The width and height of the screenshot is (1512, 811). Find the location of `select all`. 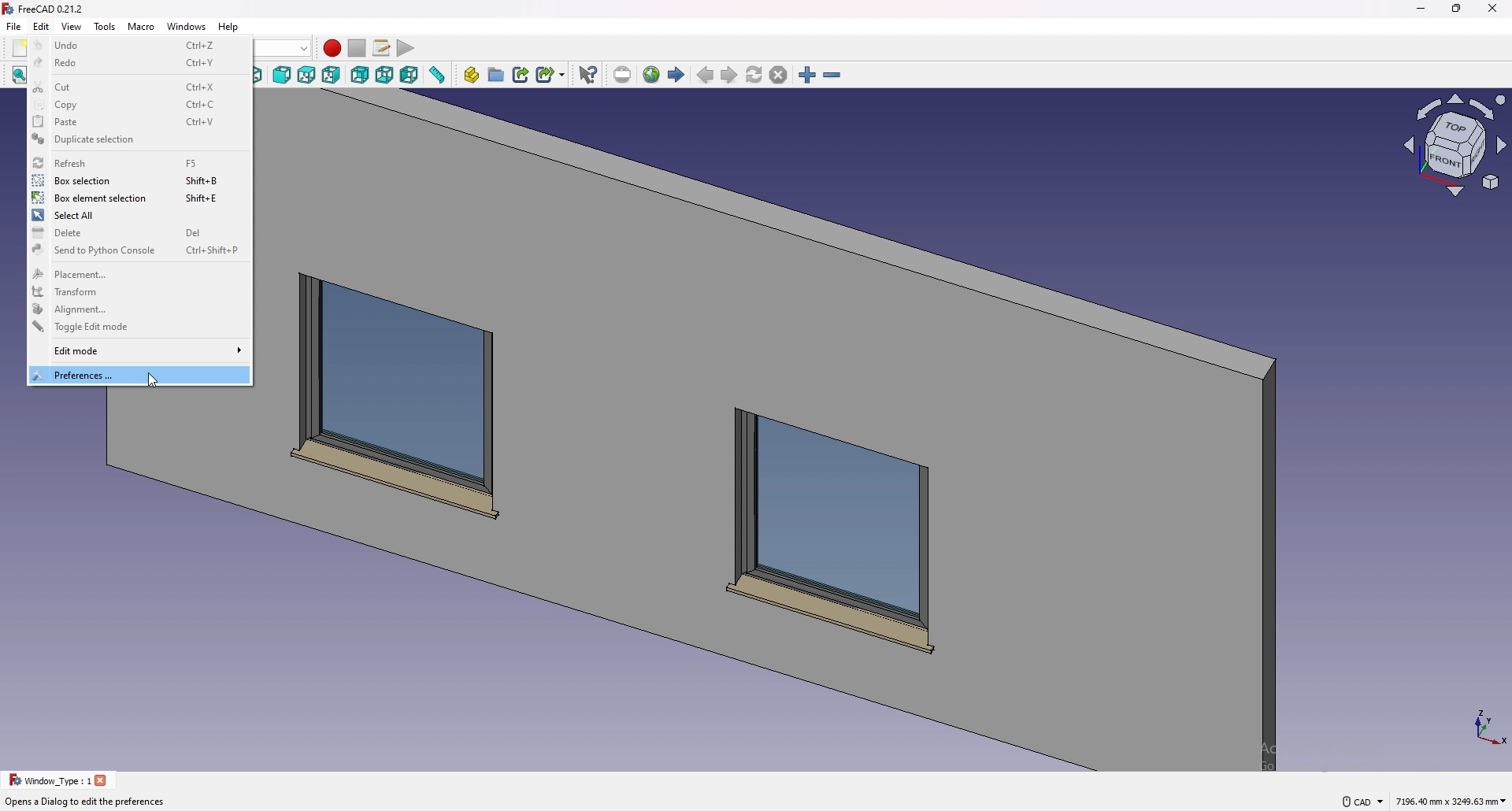

select all is located at coordinates (136, 216).